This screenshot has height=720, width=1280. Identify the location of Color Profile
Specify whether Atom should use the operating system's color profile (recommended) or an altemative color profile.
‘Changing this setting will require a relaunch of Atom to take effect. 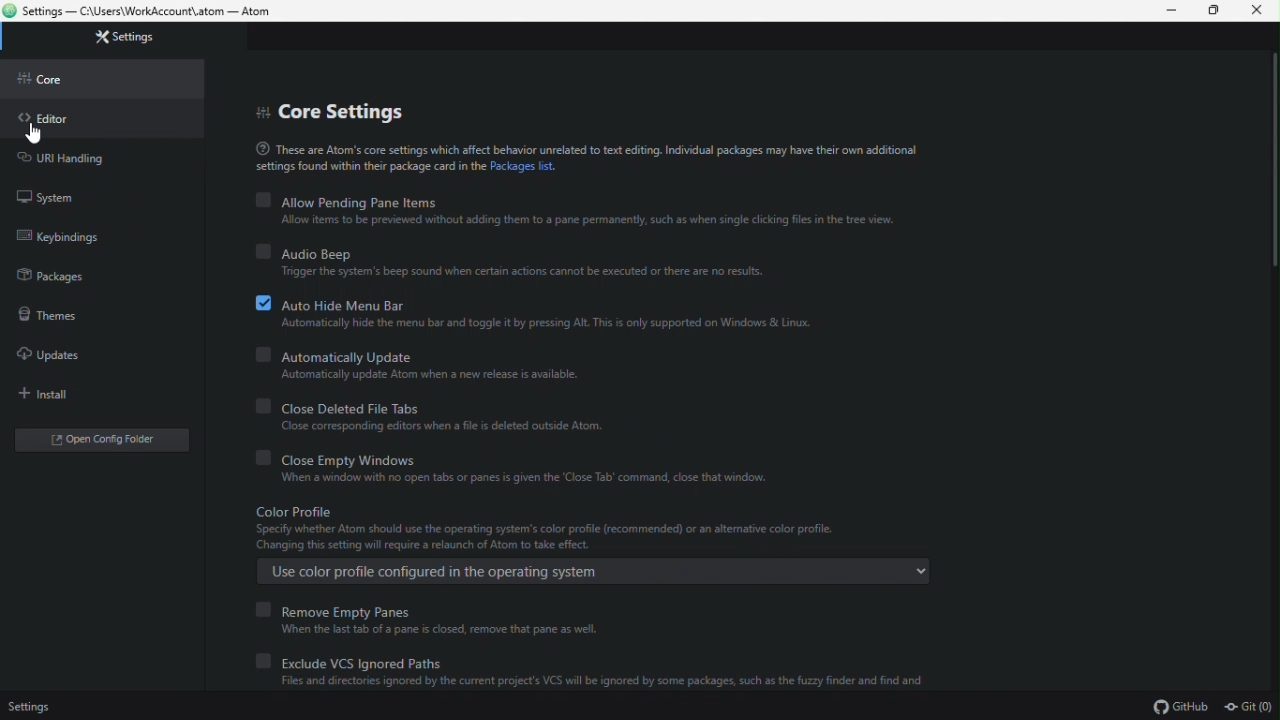
(586, 528).